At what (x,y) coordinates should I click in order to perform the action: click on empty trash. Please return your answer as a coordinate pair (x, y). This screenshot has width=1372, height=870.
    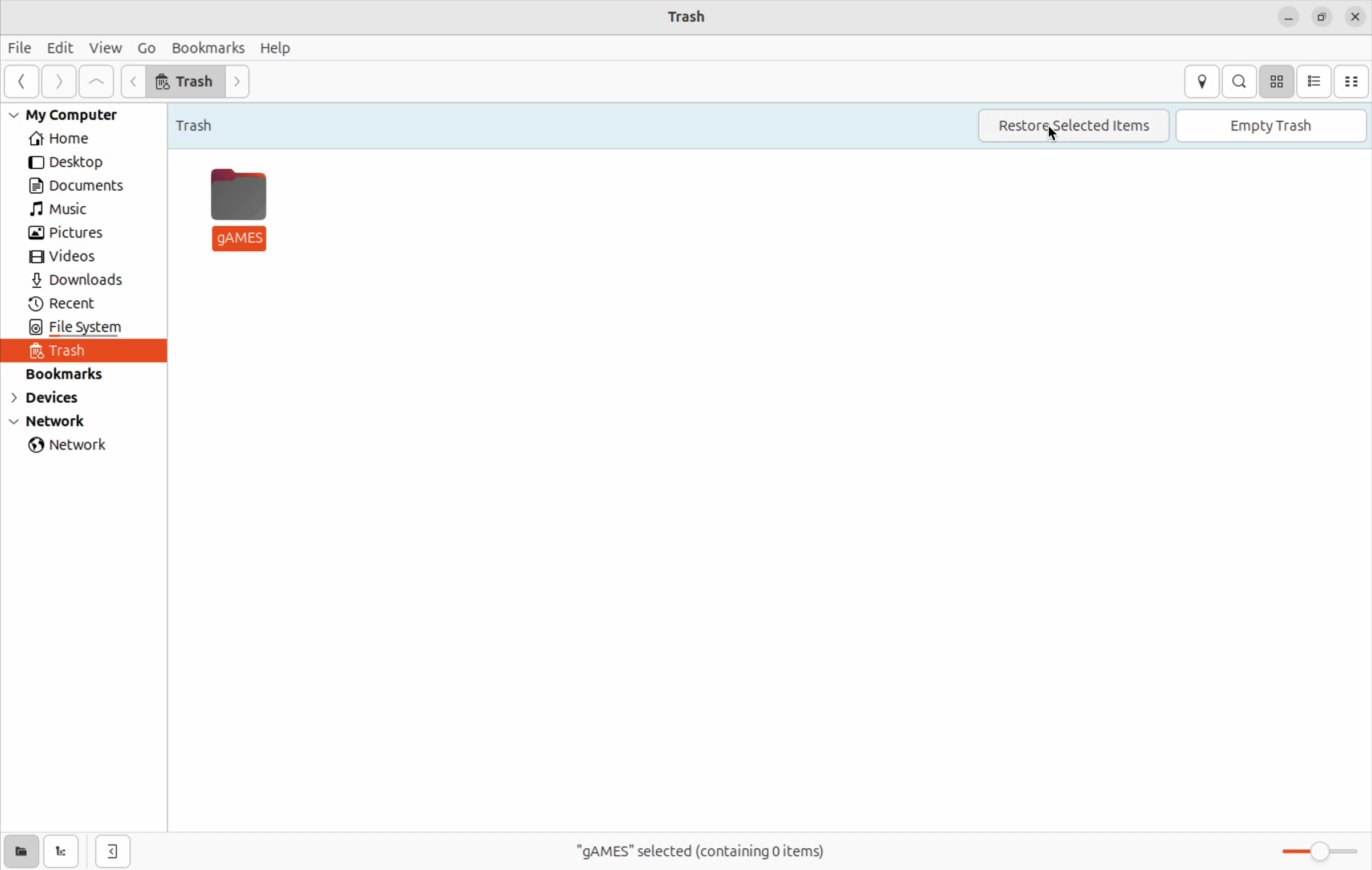
    Looking at the image, I should click on (1272, 126).